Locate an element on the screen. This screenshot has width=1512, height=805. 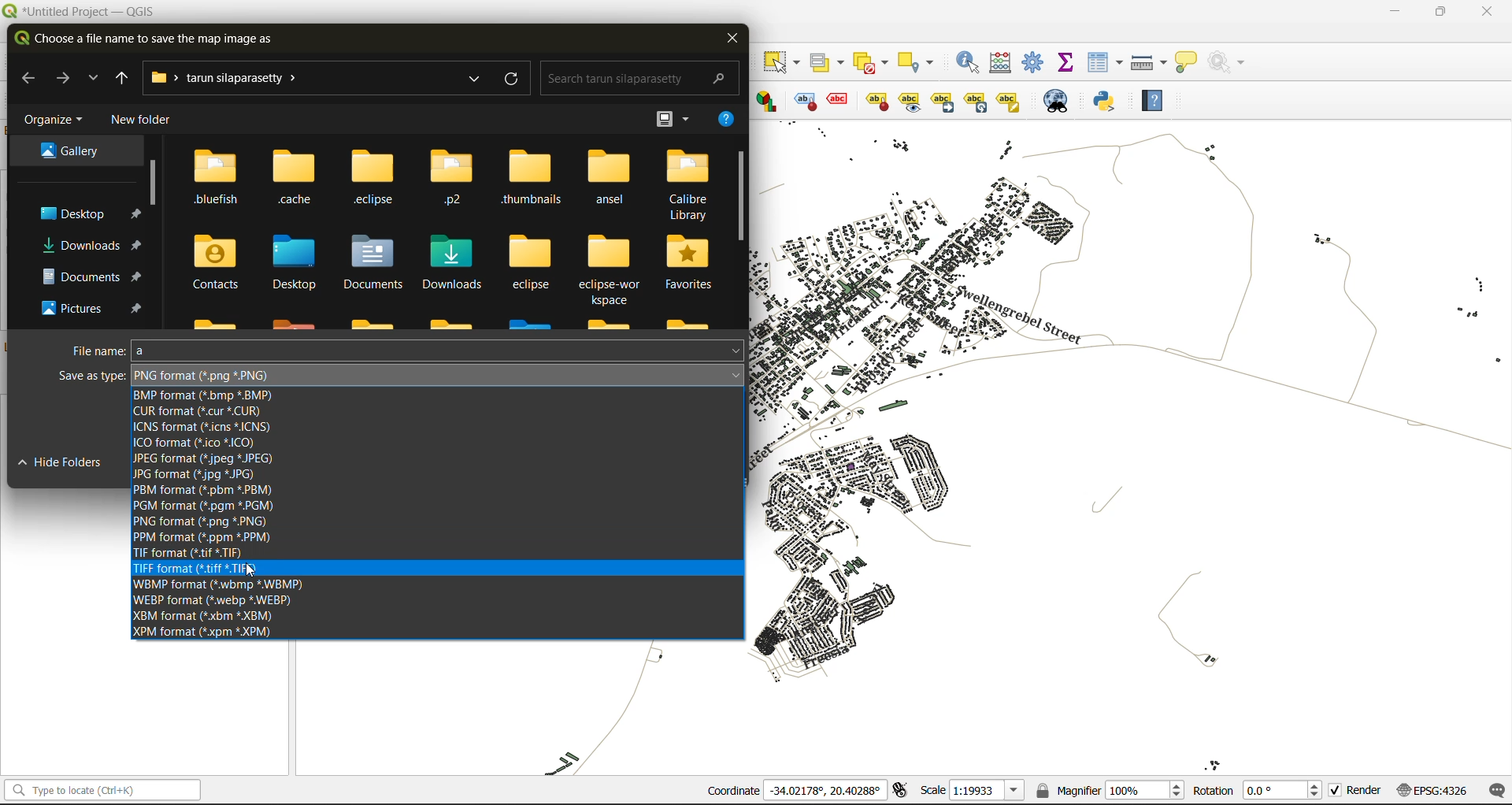
pgm is located at coordinates (205, 506).